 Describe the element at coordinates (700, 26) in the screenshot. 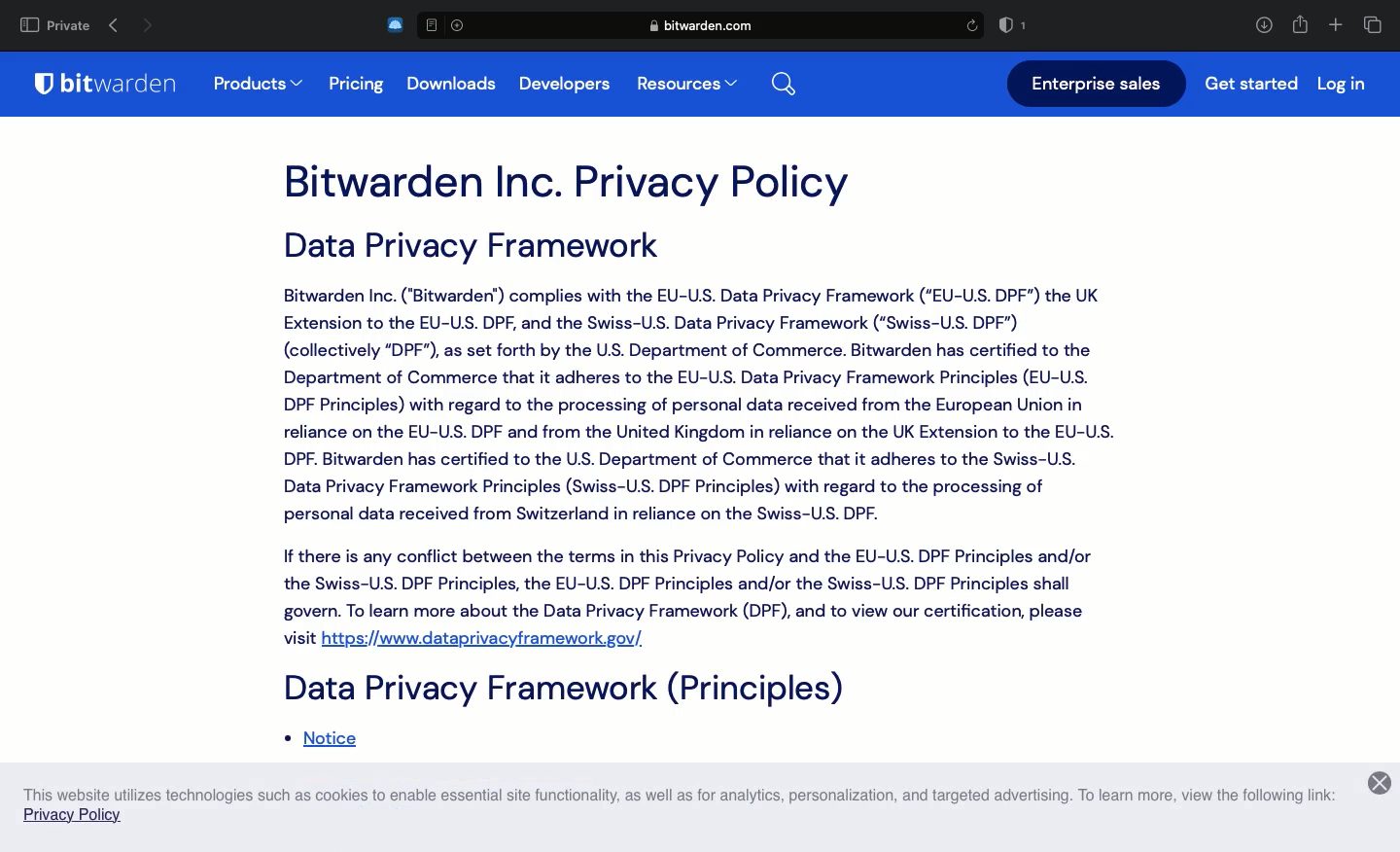

I see `bitwarden privacy policy link` at that location.